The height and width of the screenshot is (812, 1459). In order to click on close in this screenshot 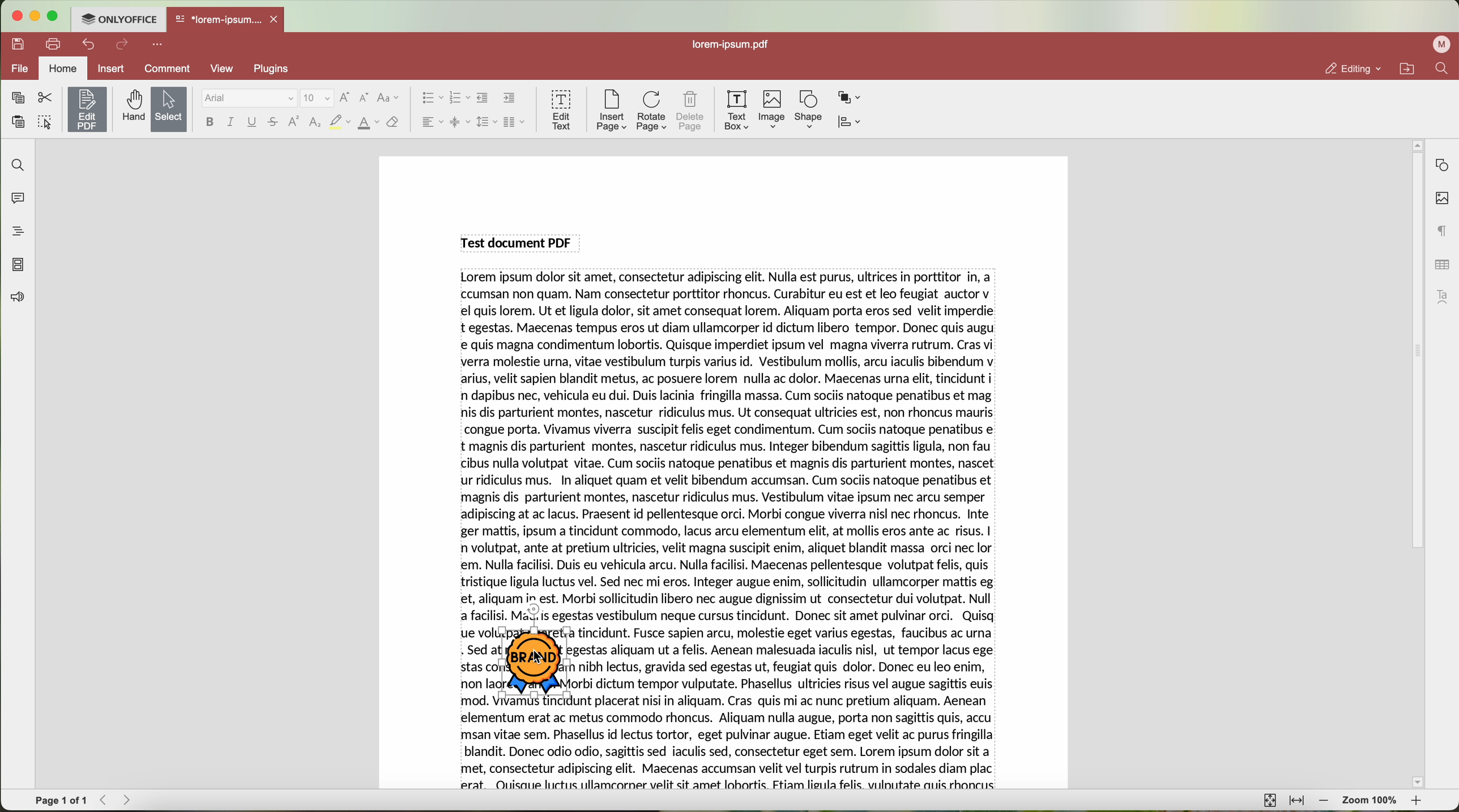, I will do `click(276, 19)`.